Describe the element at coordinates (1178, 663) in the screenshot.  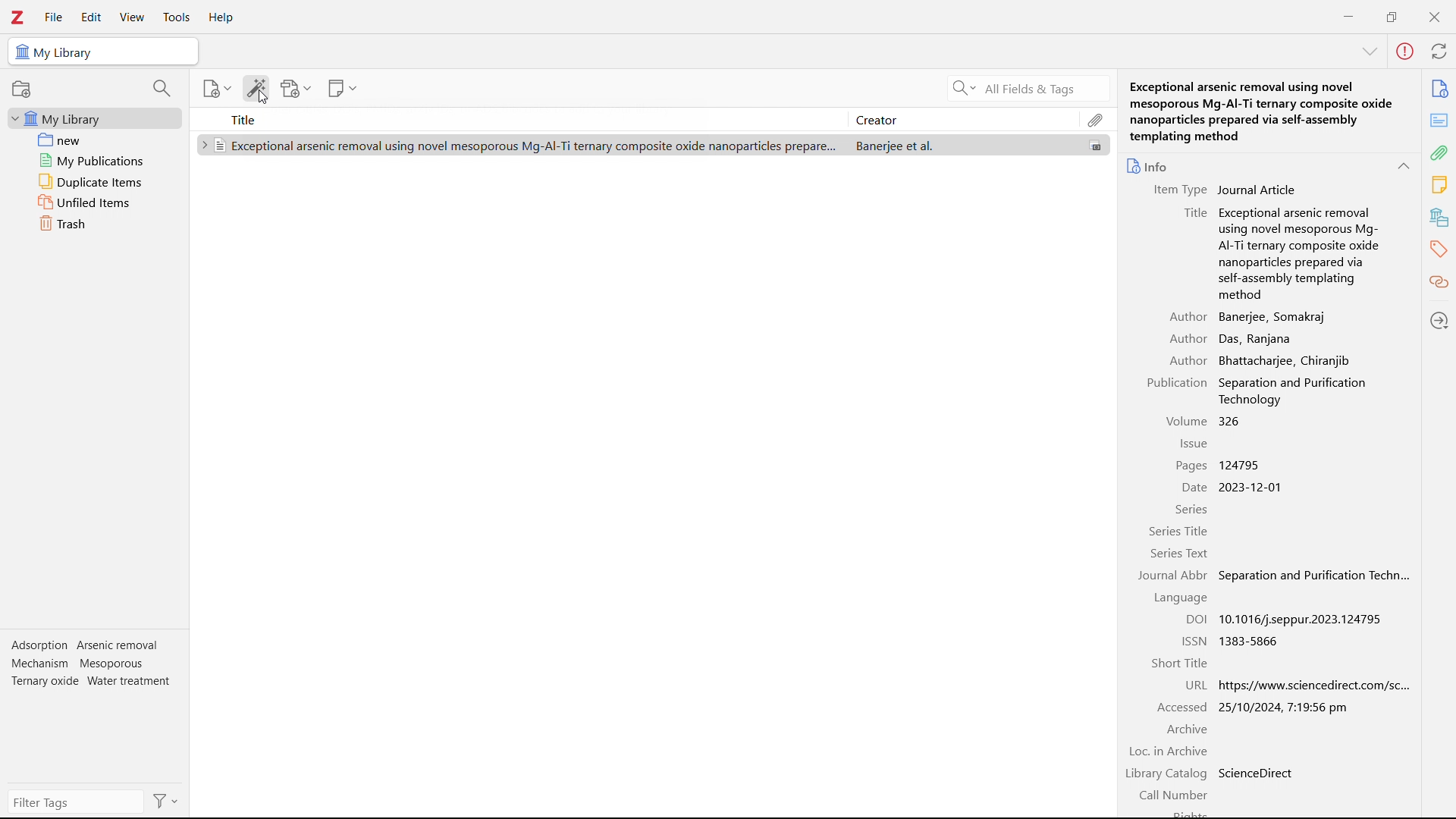
I see `Short title` at that location.